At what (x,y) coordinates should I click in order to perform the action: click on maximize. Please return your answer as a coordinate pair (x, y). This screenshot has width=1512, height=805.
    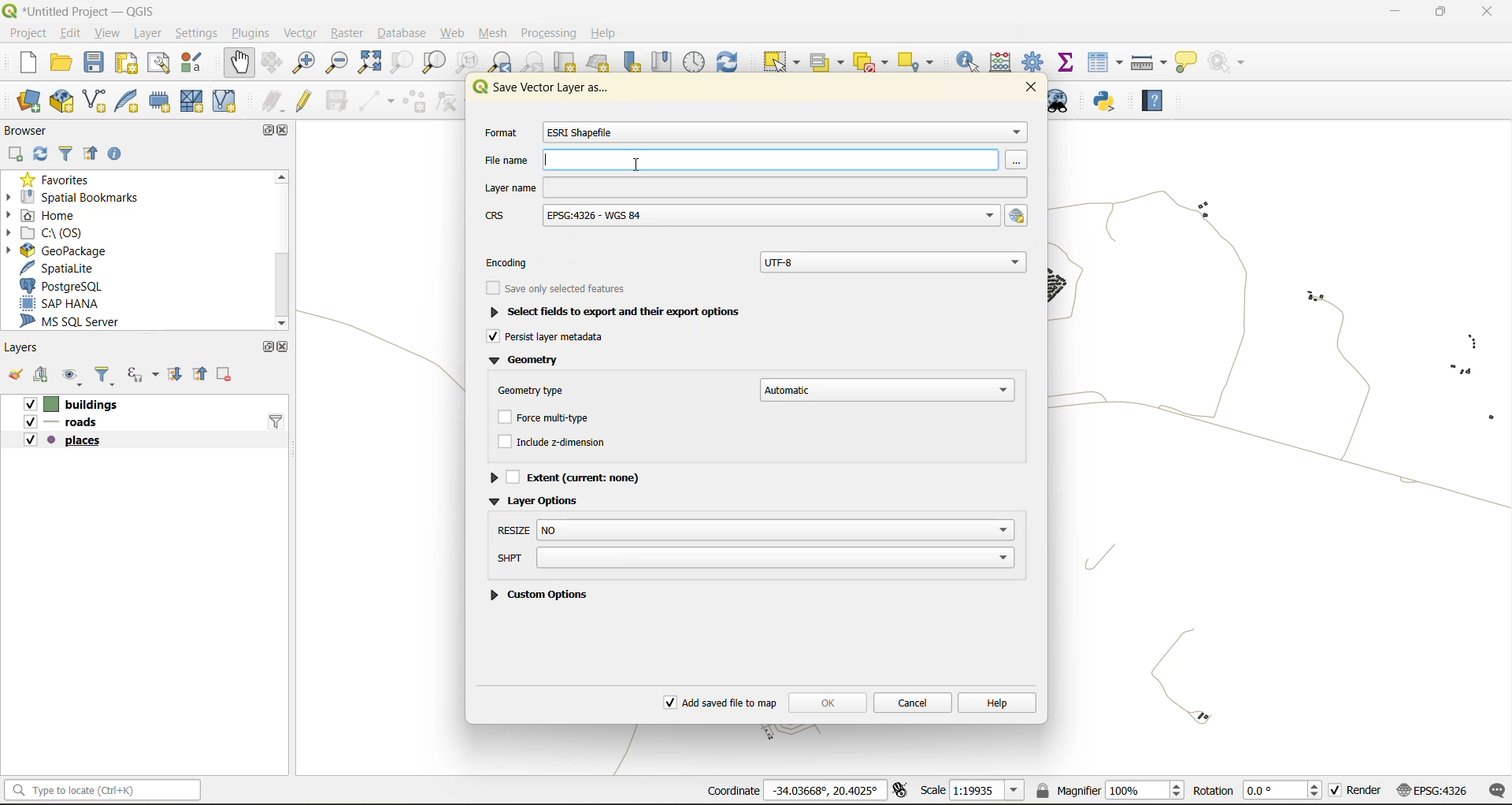
    Looking at the image, I should click on (265, 133).